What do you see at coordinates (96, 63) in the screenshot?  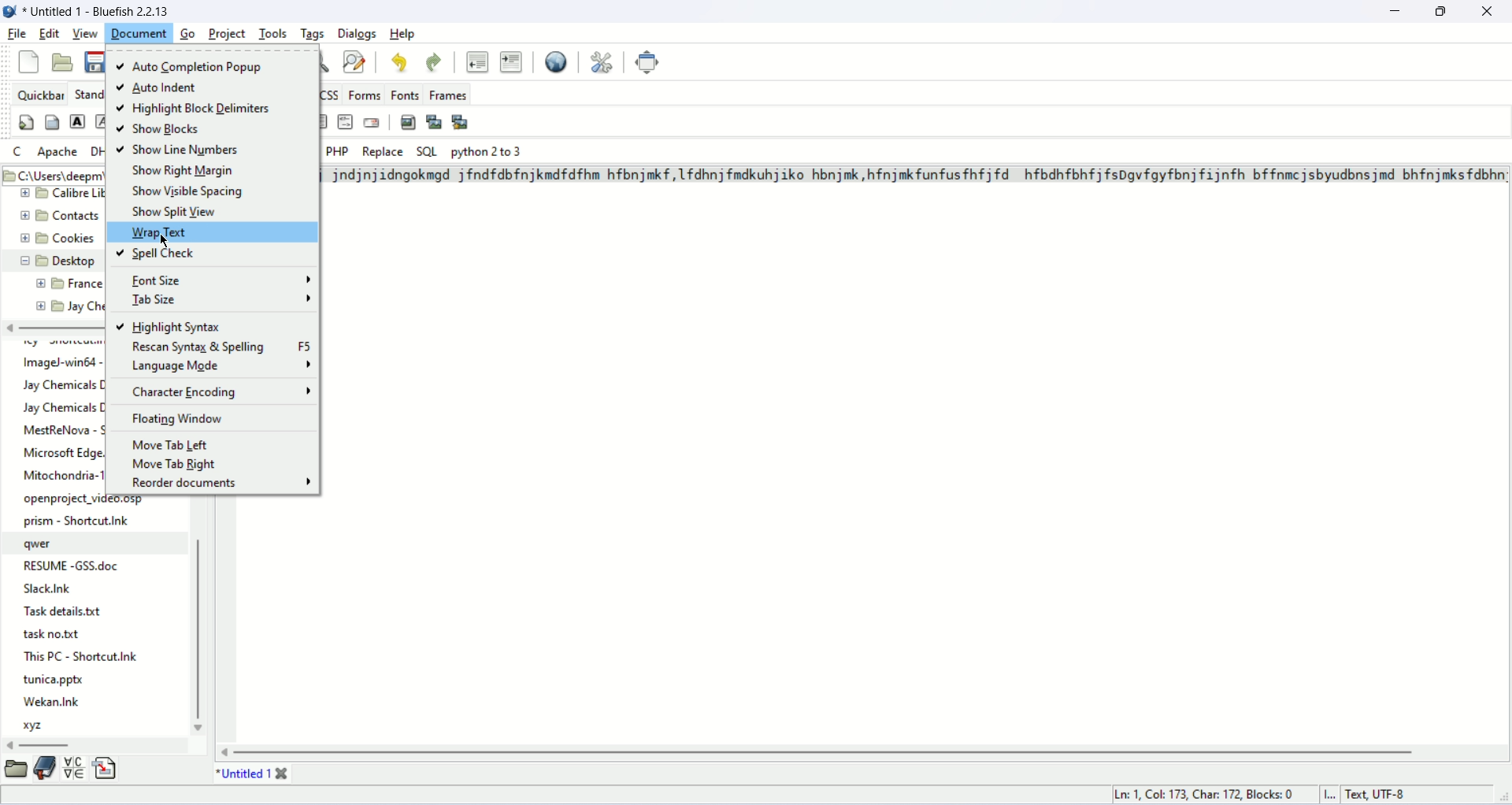 I see `save current file` at bounding box center [96, 63].